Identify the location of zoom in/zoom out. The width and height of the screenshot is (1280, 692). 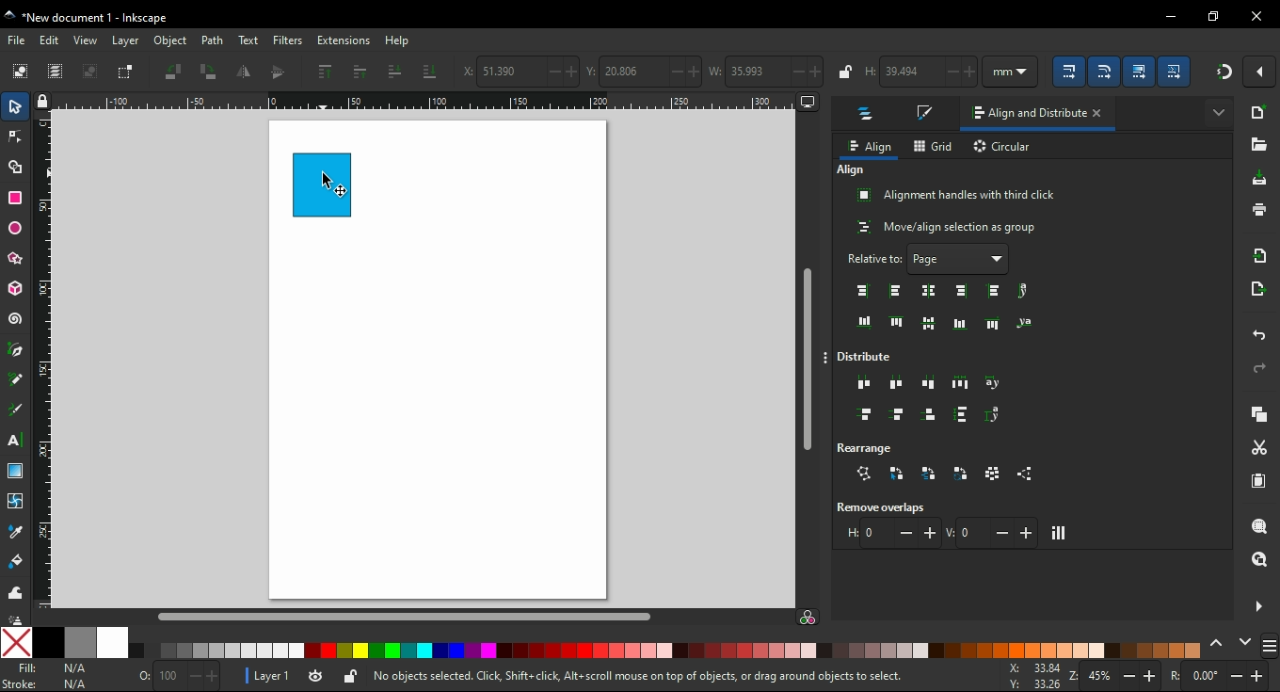
(1111, 676).